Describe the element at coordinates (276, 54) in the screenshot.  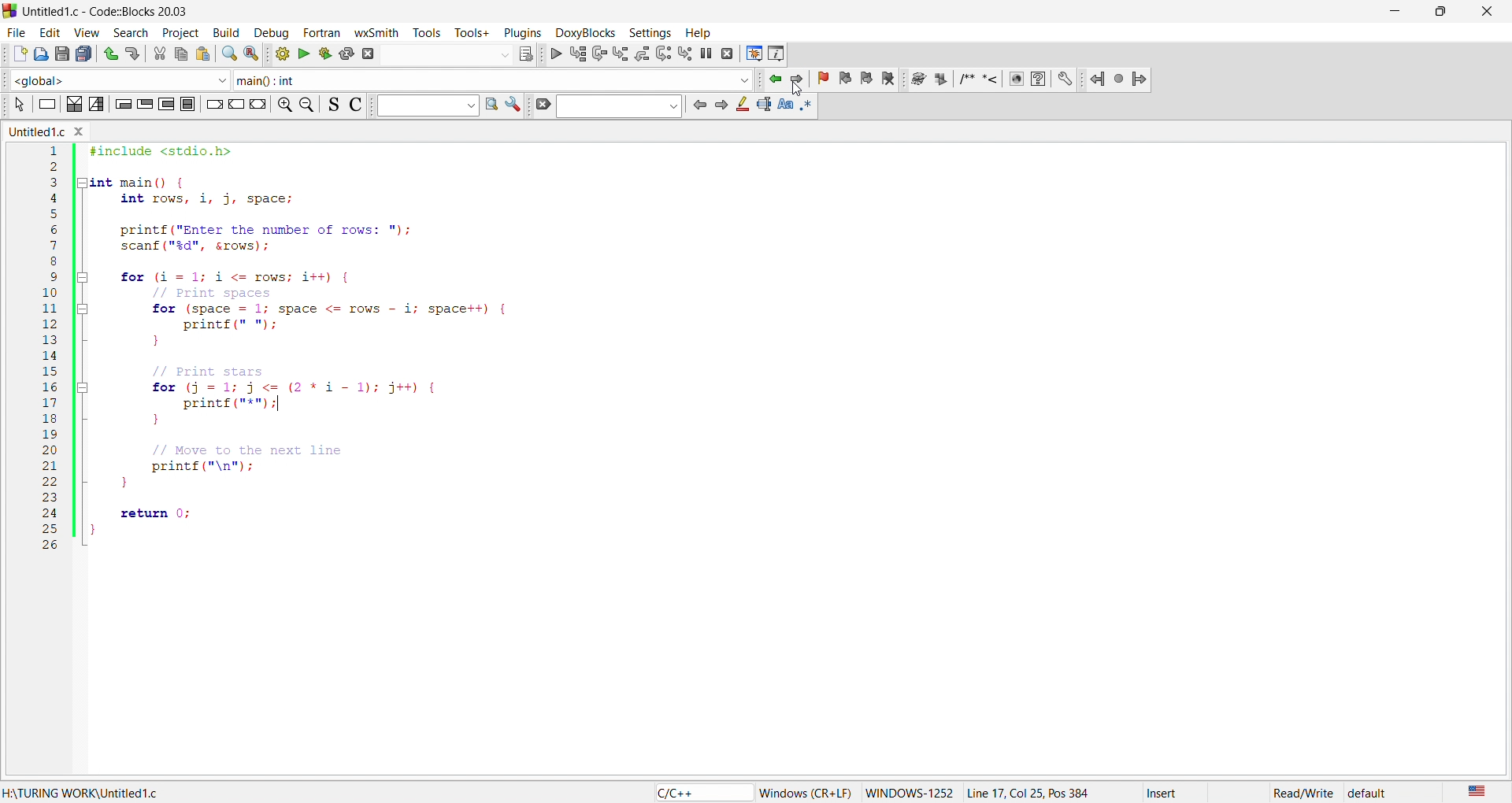
I see `build` at that location.